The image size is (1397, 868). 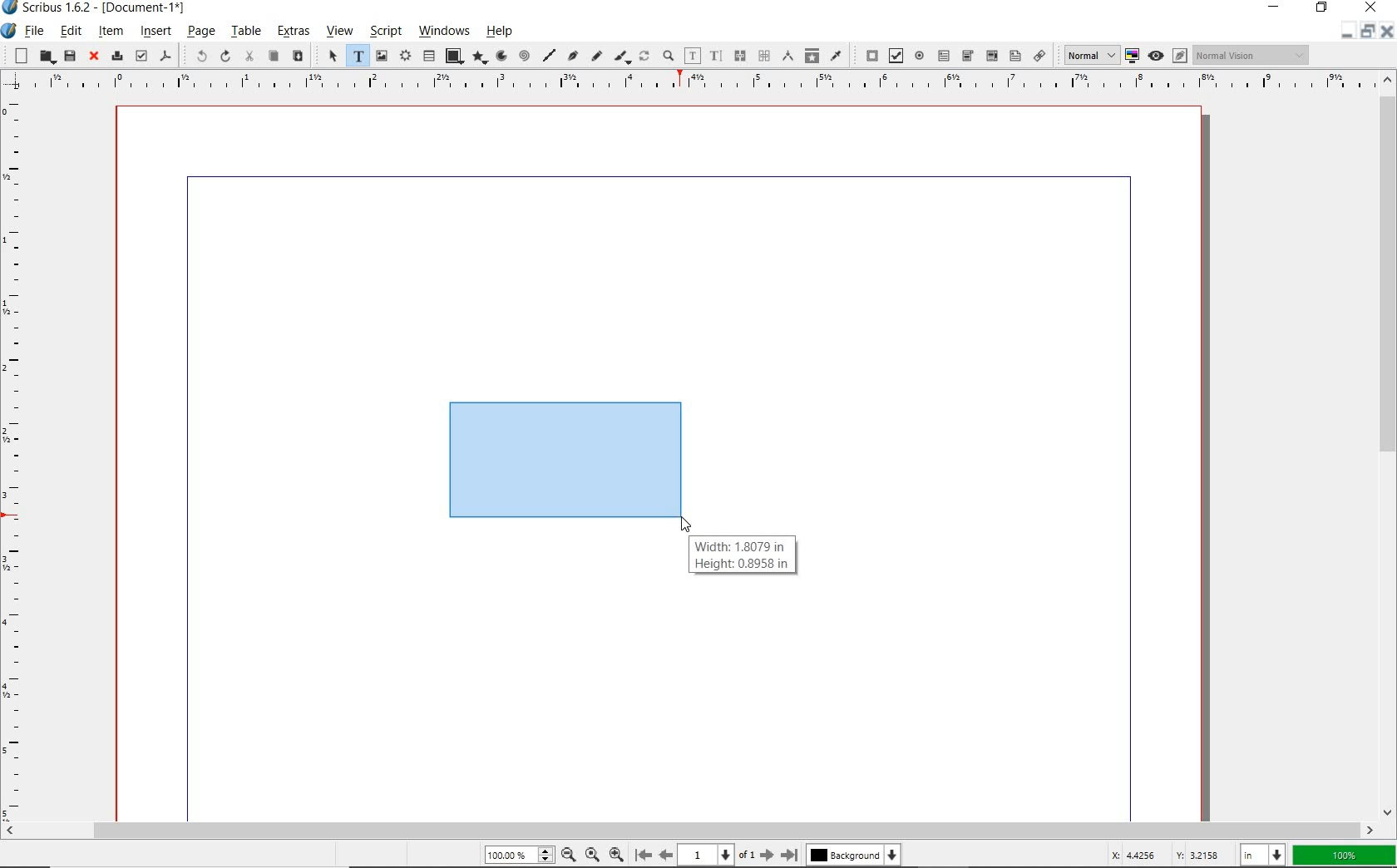 What do you see at coordinates (1164, 855) in the screenshot?
I see `cursor coordinates` at bounding box center [1164, 855].